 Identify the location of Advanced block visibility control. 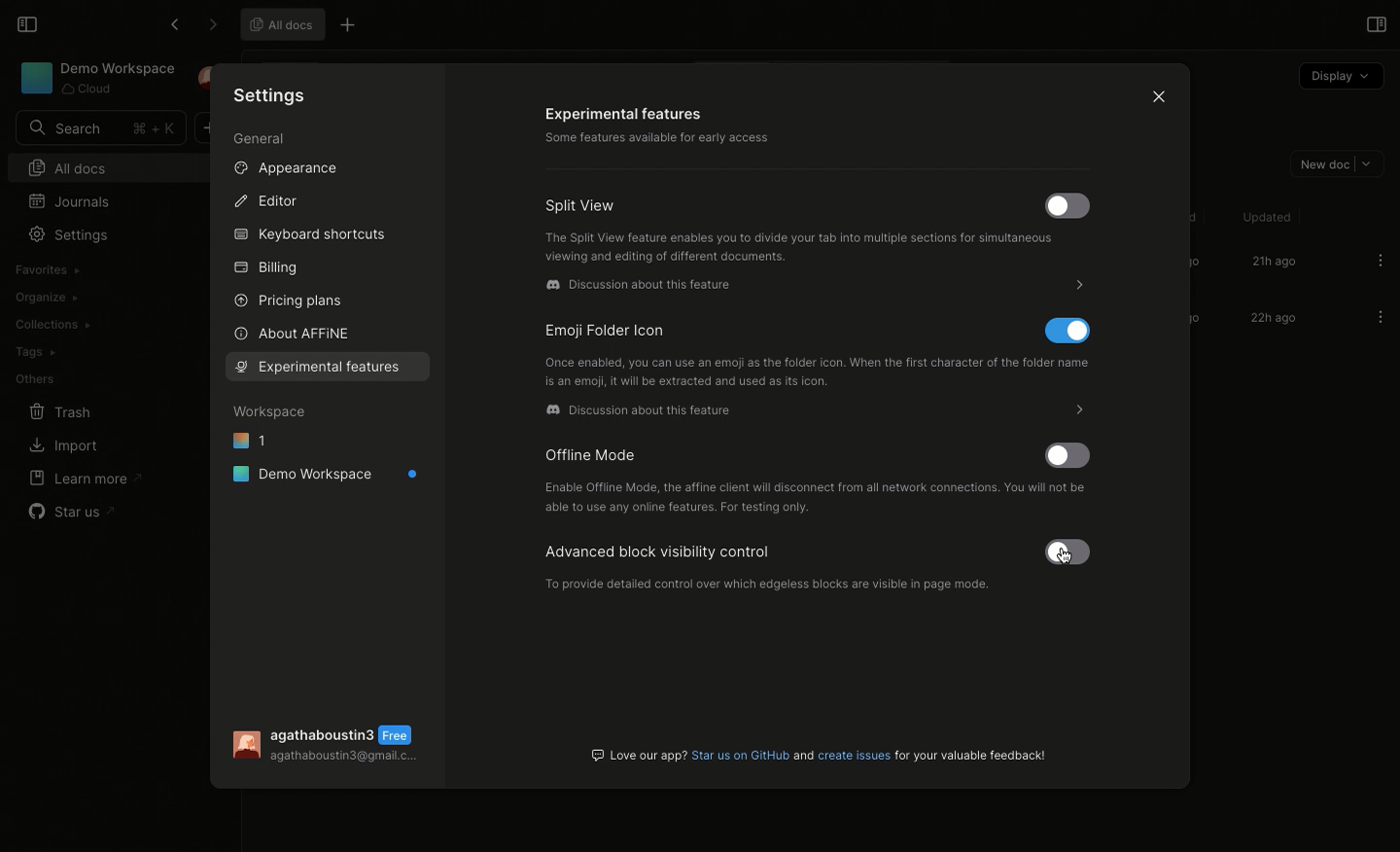
(778, 565).